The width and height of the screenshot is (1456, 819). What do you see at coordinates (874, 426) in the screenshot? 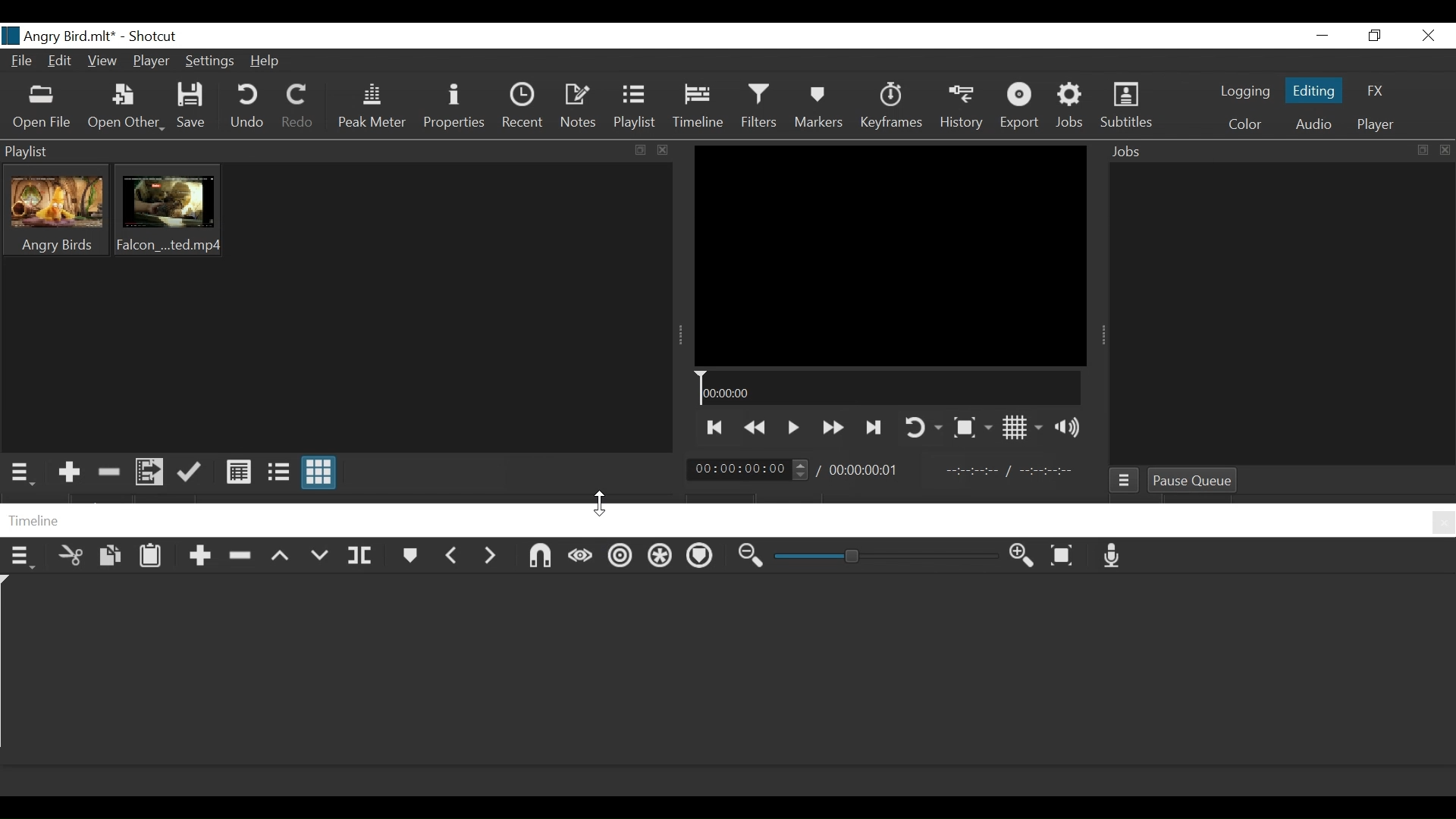
I see `Skip to the next point` at bounding box center [874, 426].